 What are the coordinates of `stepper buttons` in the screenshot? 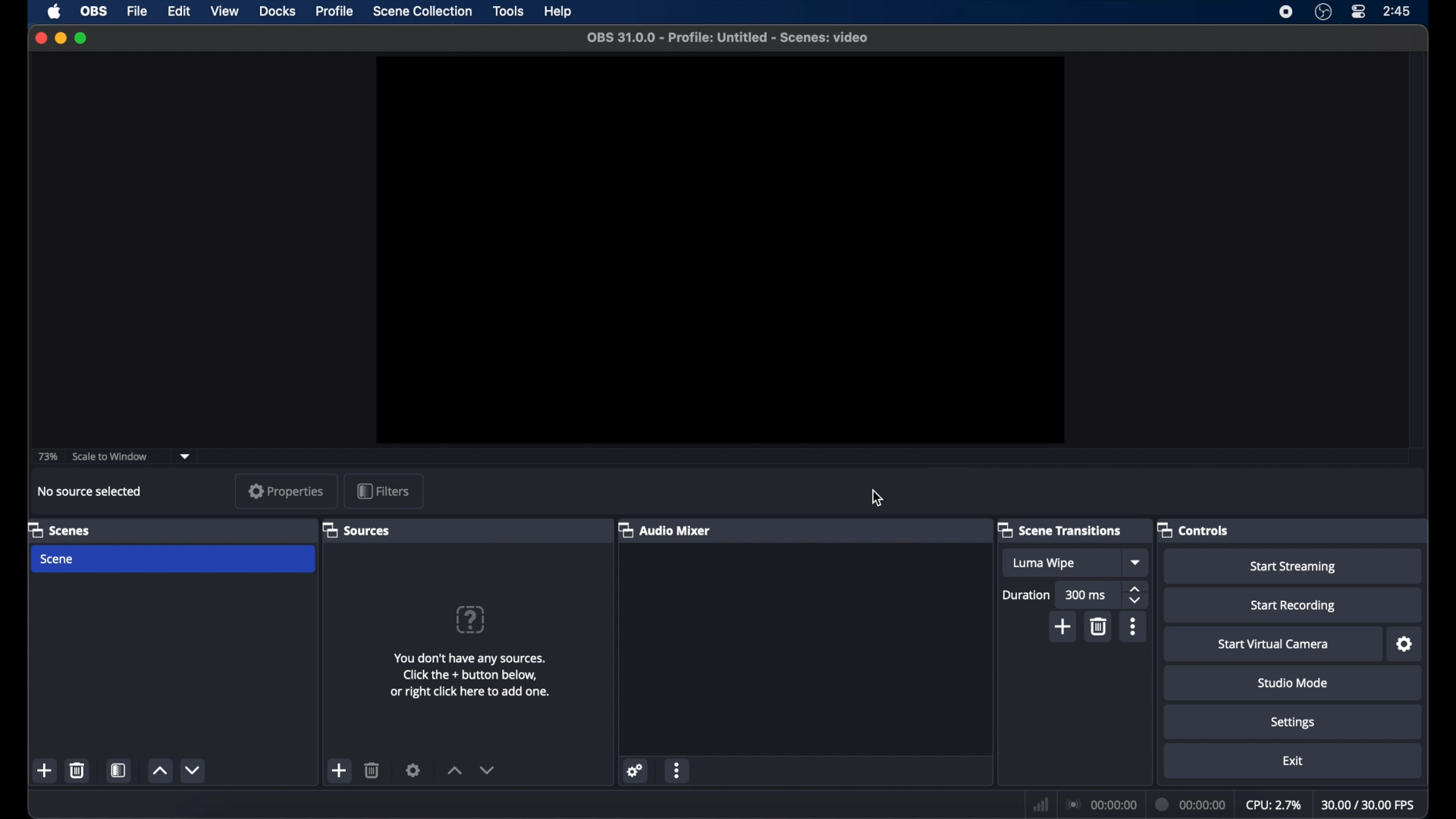 It's located at (1136, 595).